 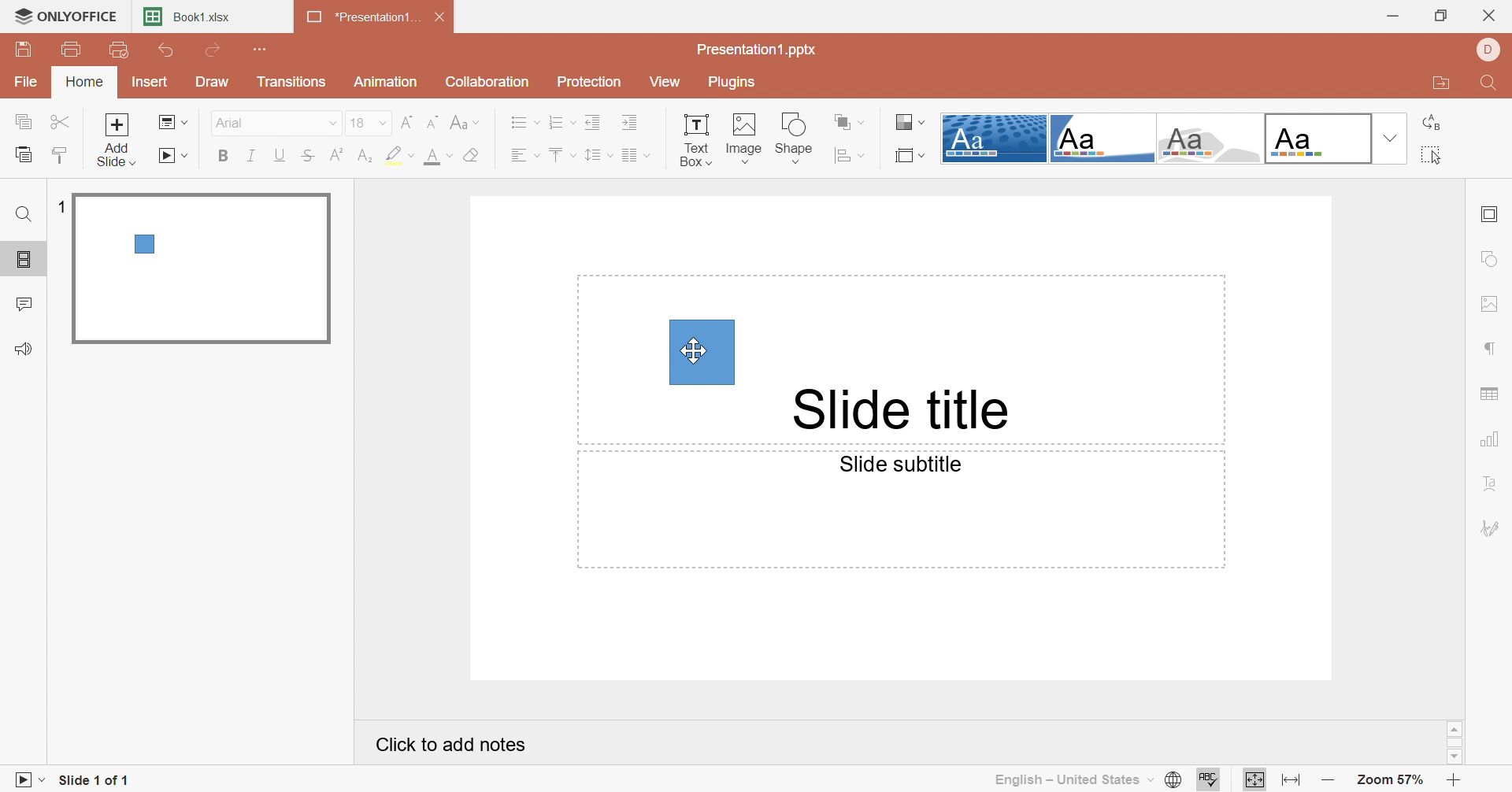 What do you see at coordinates (1210, 139) in the screenshot?
I see `Turtle` at bounding box center [1210, 139].